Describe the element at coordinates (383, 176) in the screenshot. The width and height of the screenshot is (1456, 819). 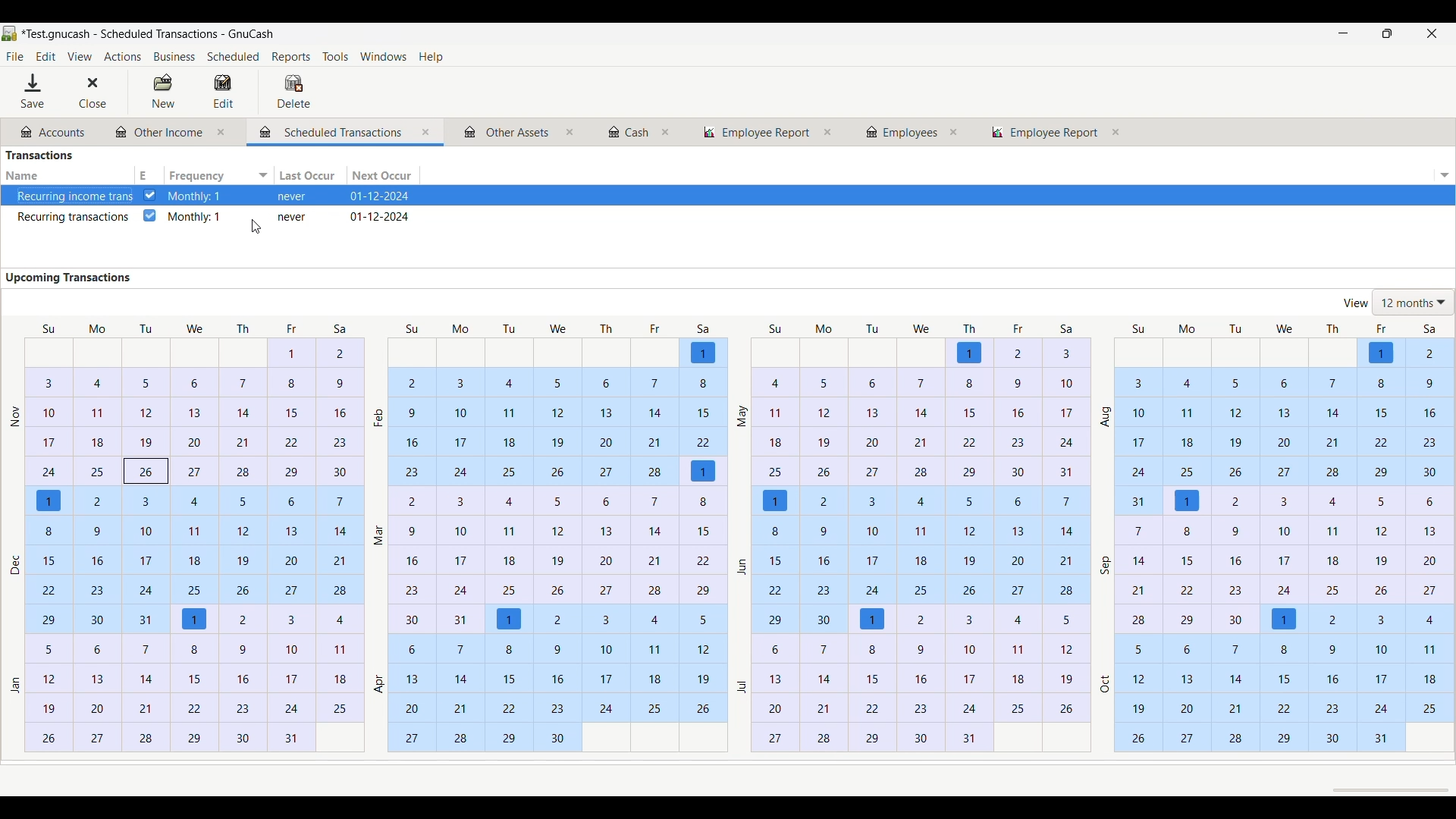
I see `Next occur column` at that location.